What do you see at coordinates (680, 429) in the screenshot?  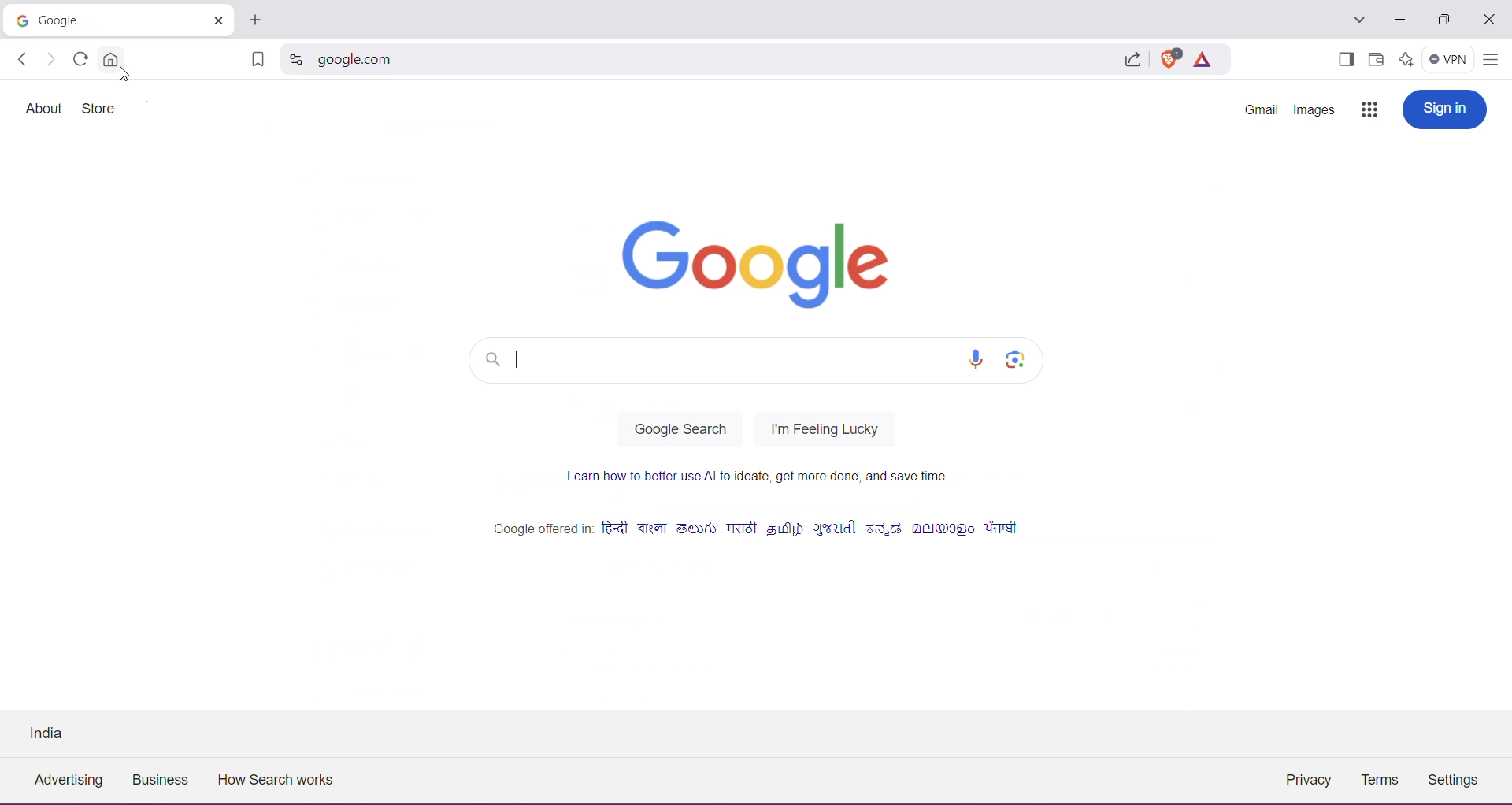 I see `Google Search` at bounding box center [680, 429].